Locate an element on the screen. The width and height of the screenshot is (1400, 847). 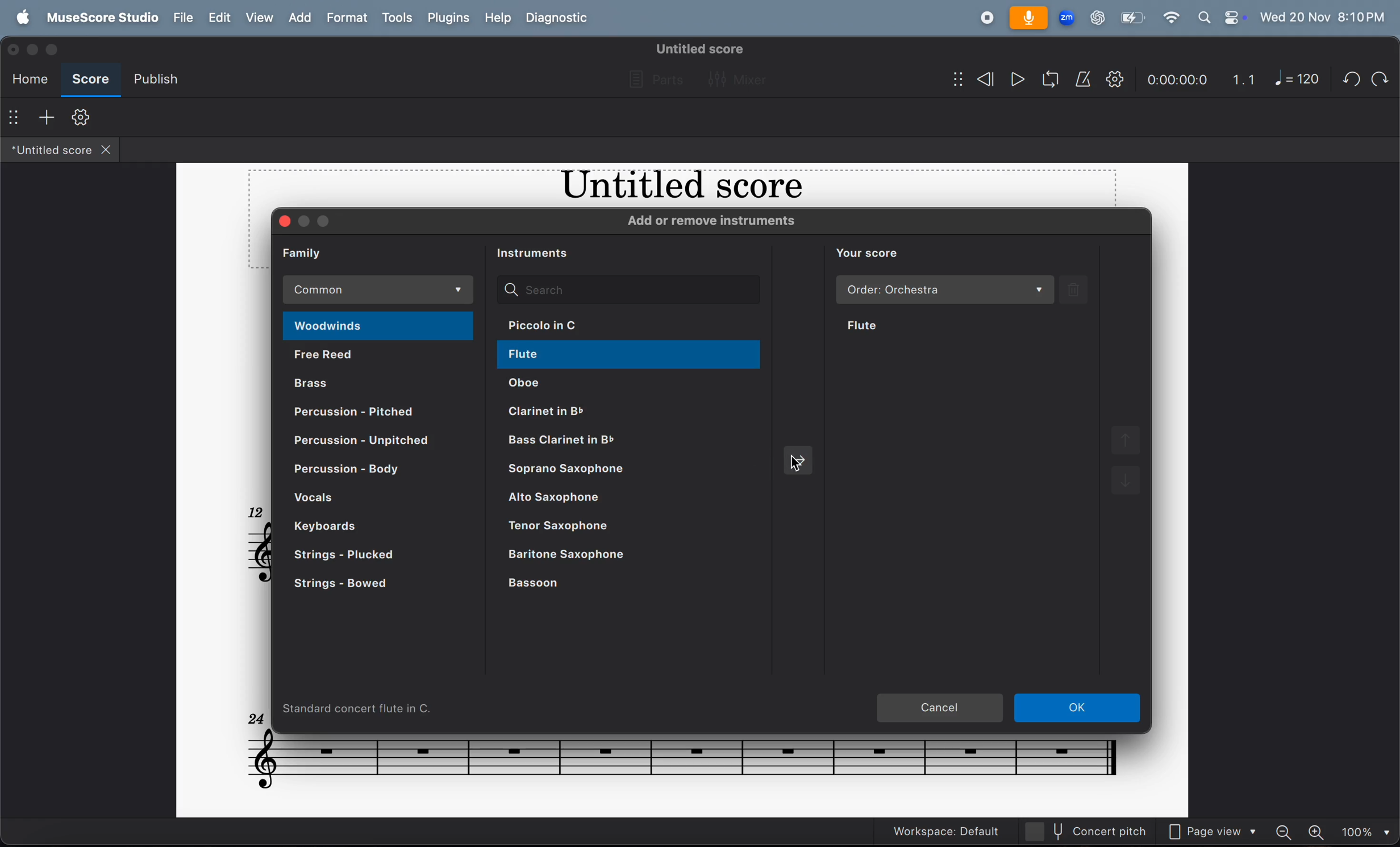
zoom in is located at coordinates (1318, 831).